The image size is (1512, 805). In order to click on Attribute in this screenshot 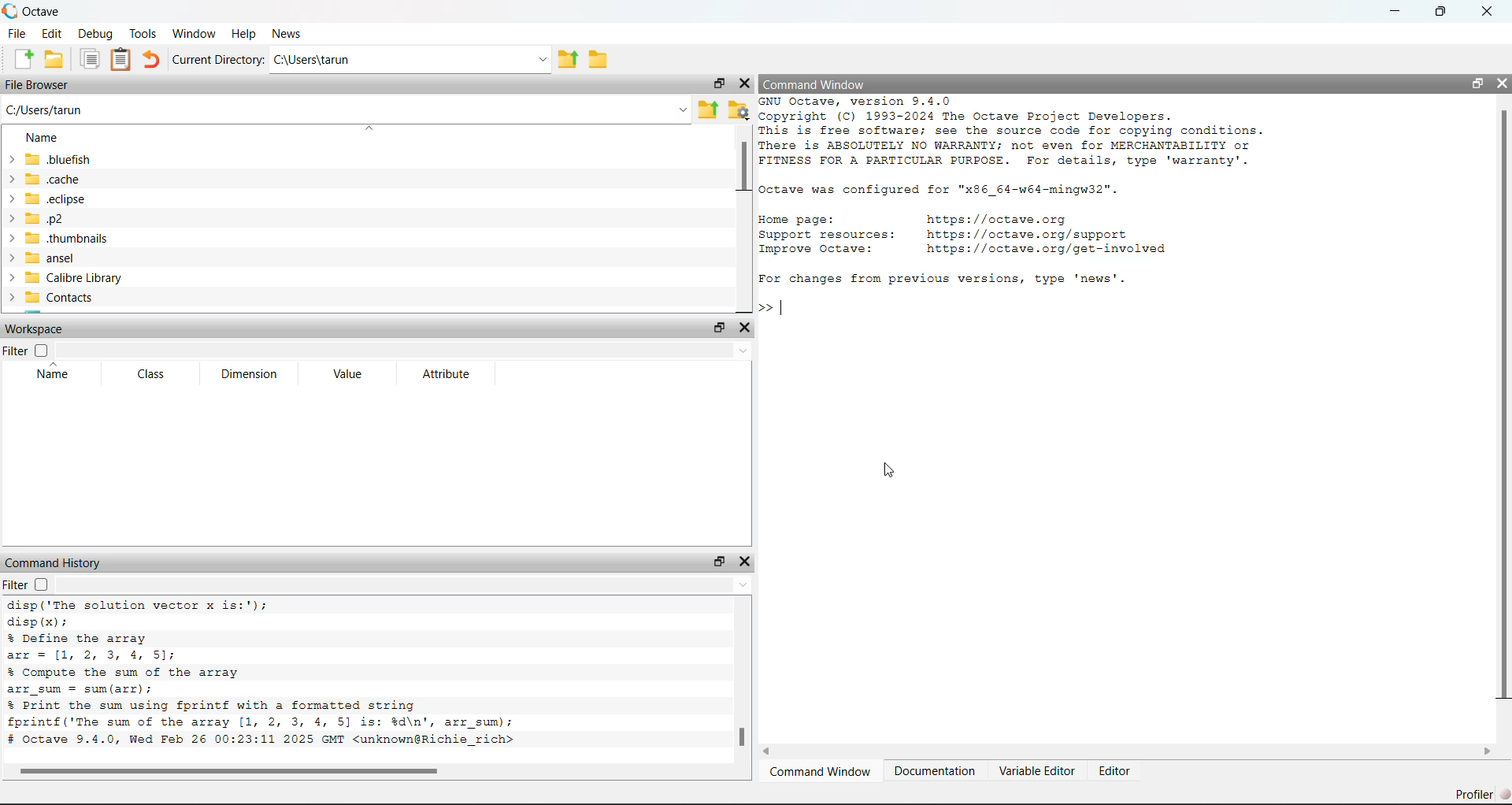, I will do `click(437, 373)`.